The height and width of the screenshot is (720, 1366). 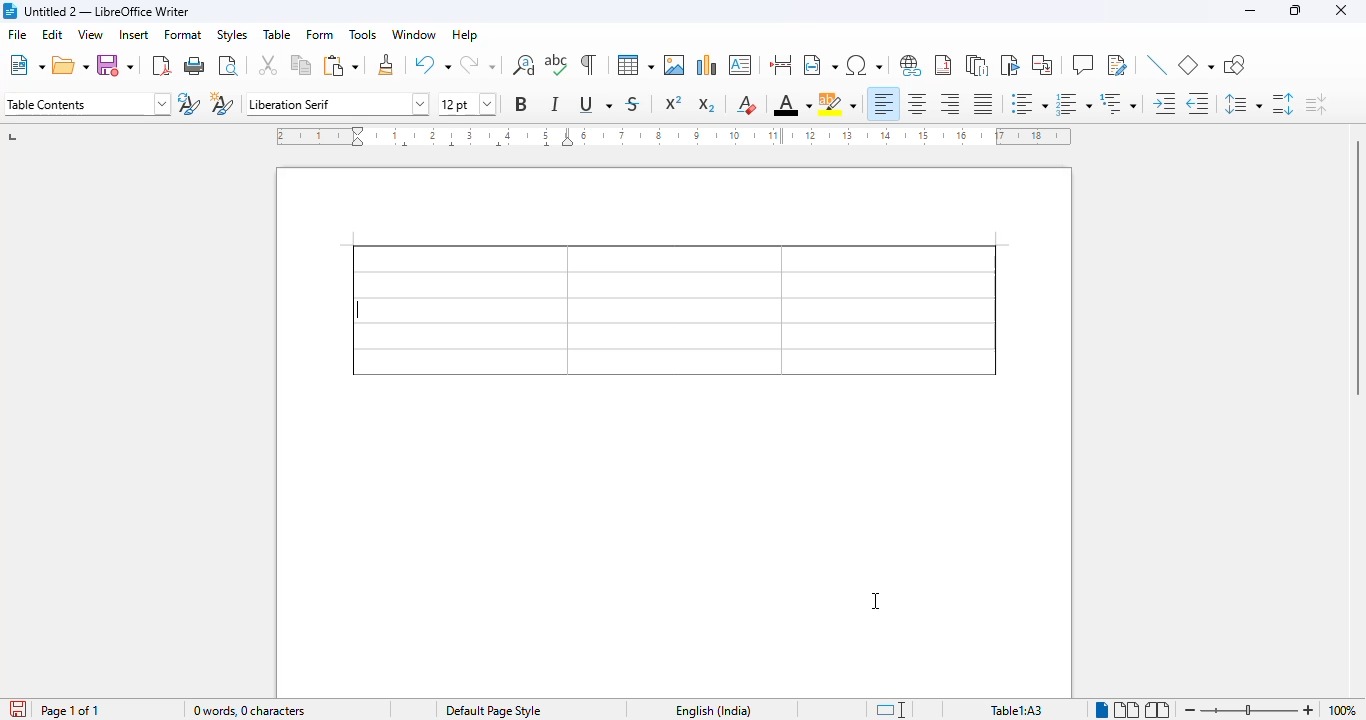 What do you see at coordinates (1158, 710) in the screenshot?
I see `book view` at bounding box center [1158, 710].